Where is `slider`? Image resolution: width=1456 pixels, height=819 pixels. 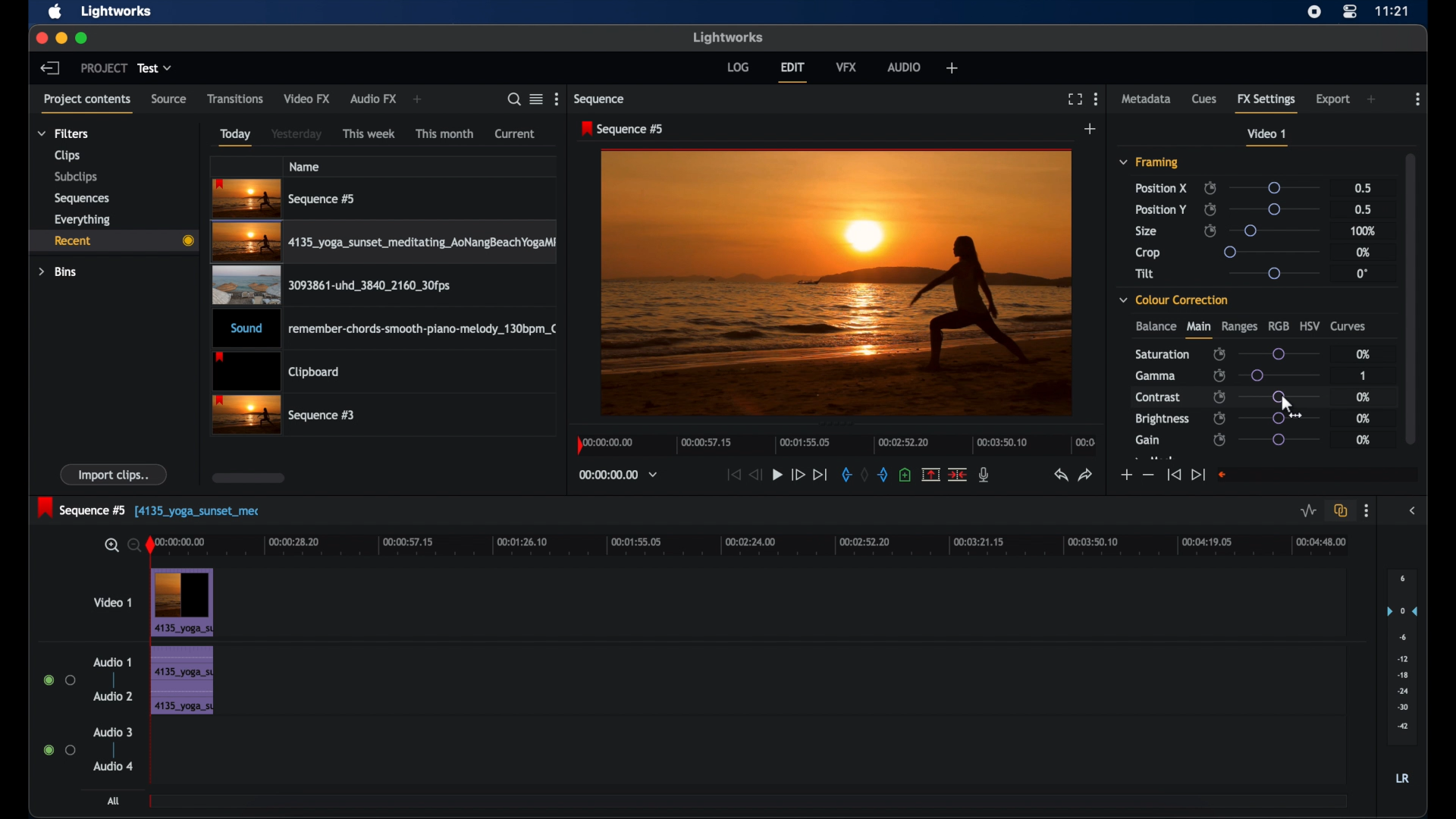
slider is located at coordinates (1280, 396).